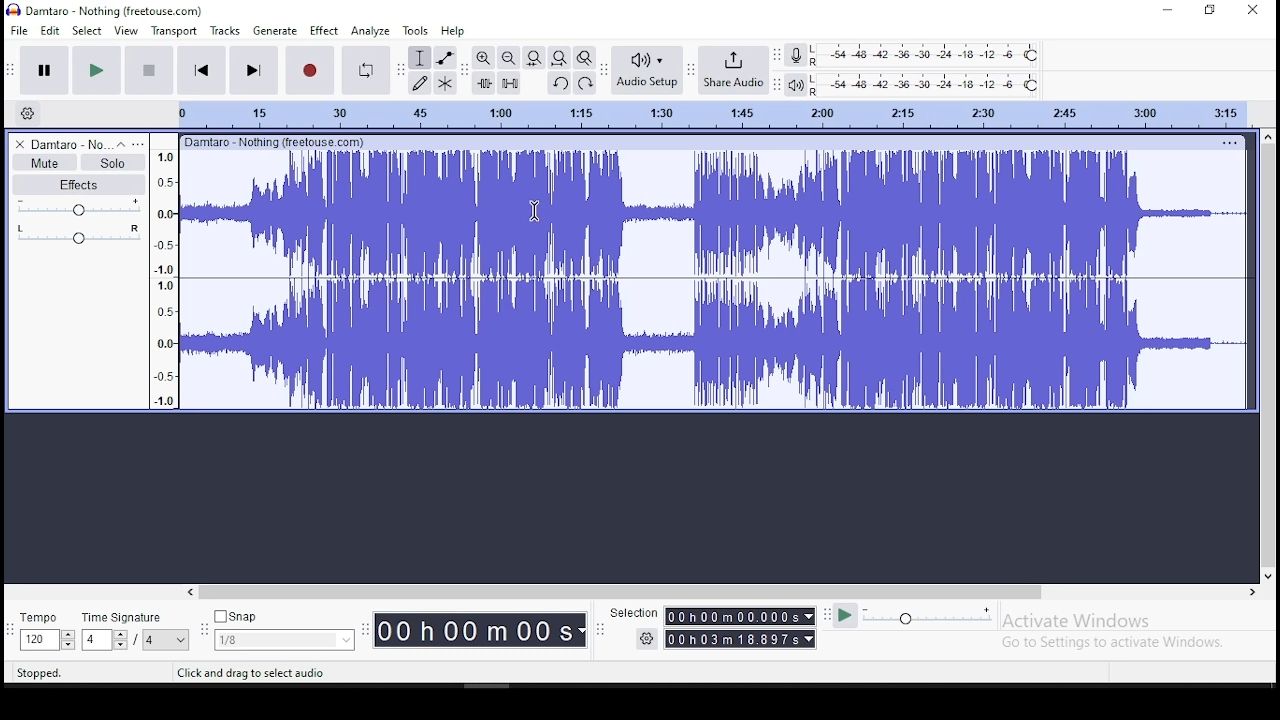 The height and width of the screenshot is (720, 1280). Describe the element at coordinates (483, 82) in the screenshot. I see `trim audio outside selection` at that location.